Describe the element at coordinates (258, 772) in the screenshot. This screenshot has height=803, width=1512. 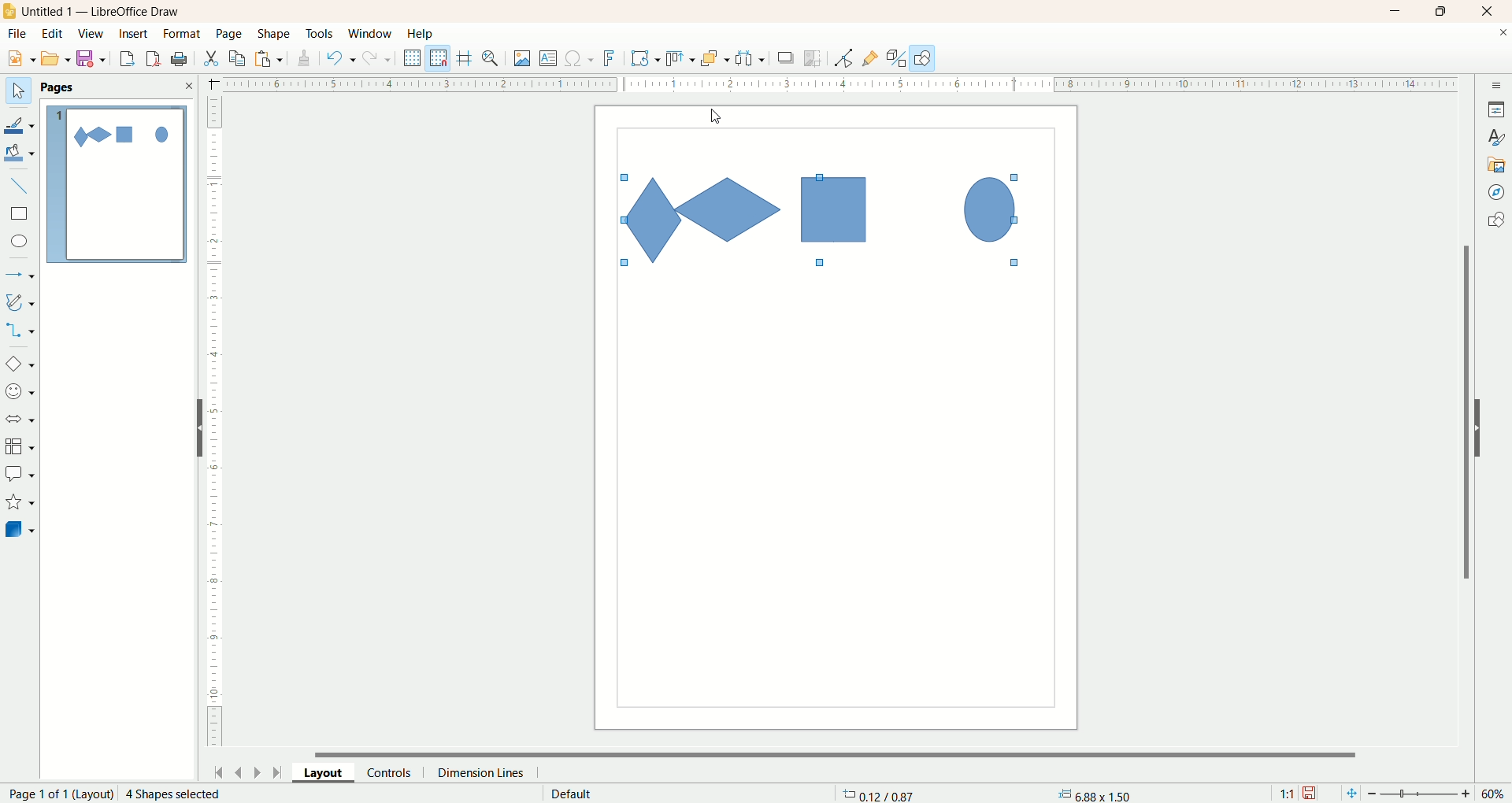
I see `next page` at that location.